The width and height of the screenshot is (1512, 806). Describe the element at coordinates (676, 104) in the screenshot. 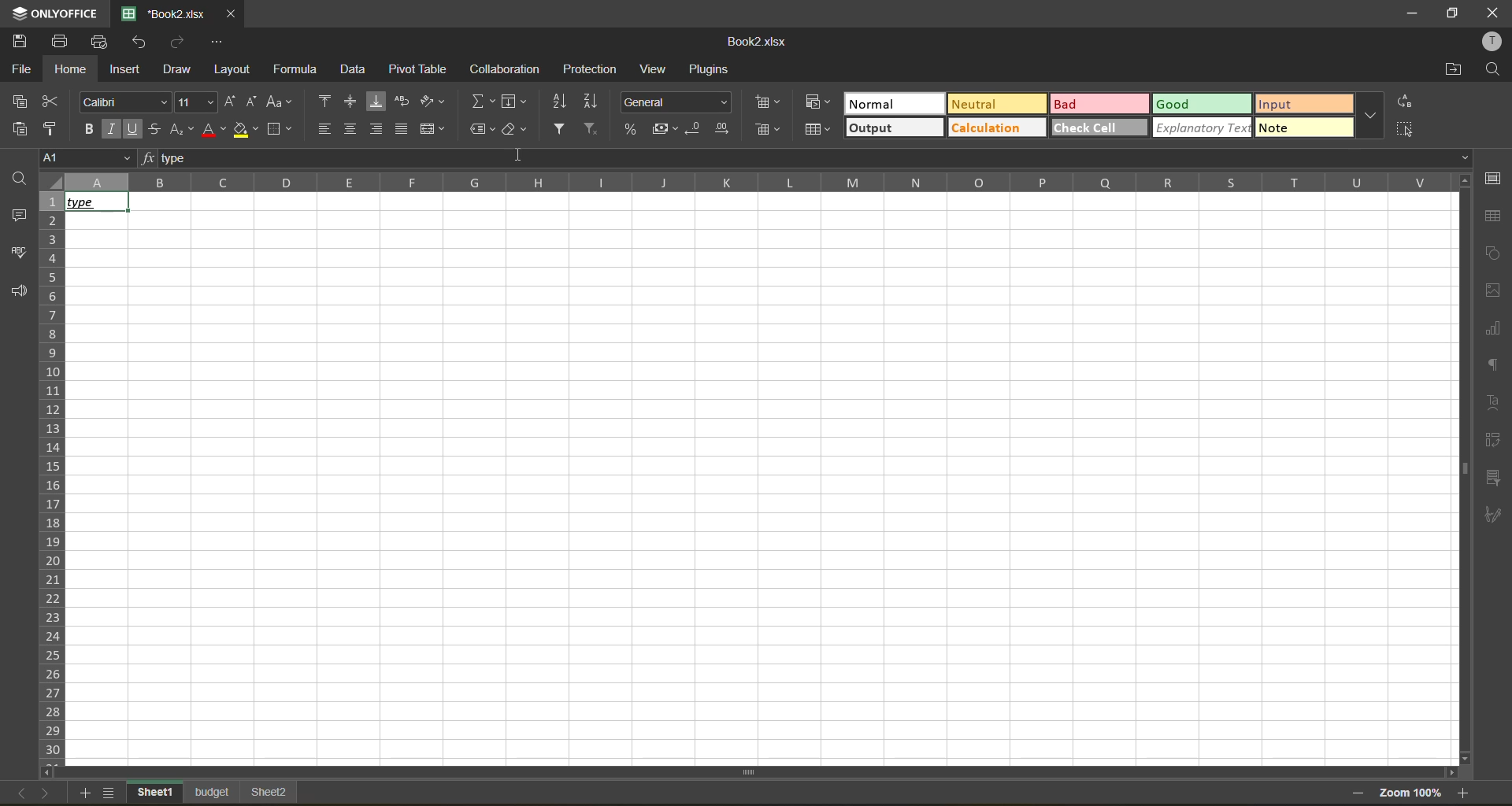

I see `number format` at that location.